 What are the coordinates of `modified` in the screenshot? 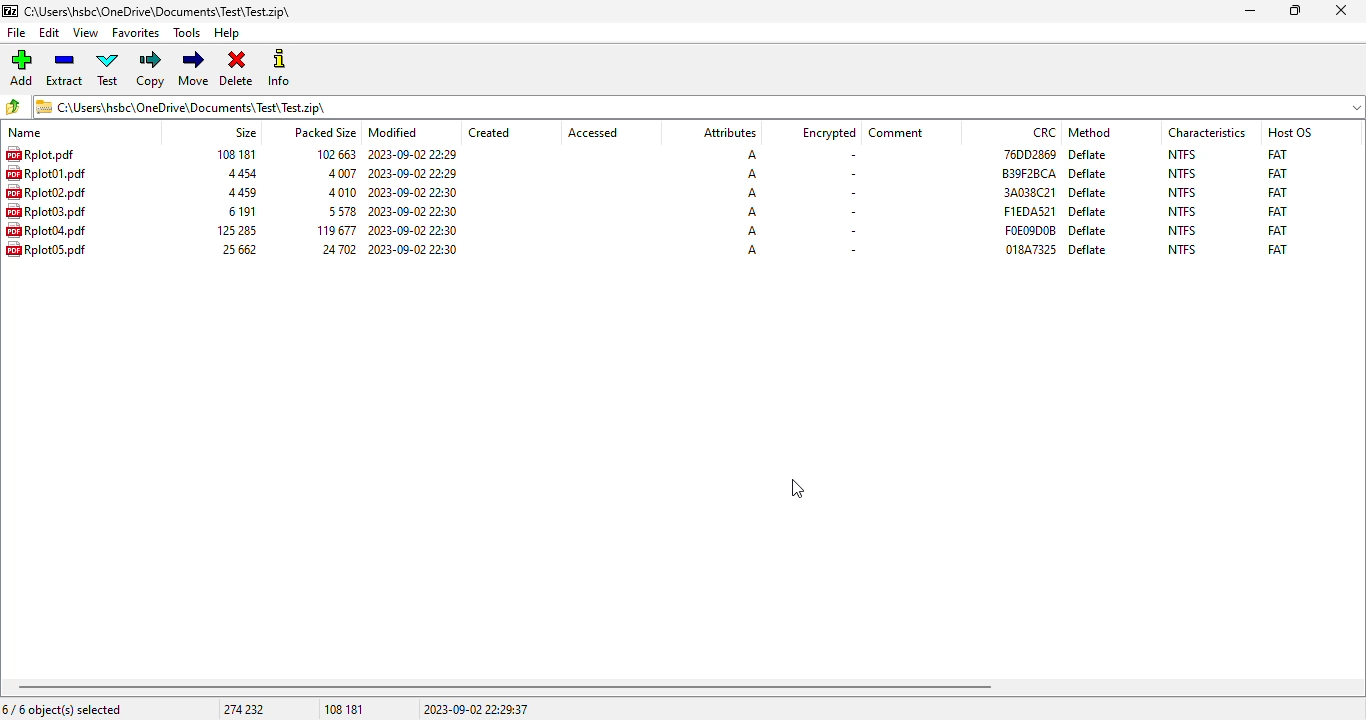 It's located at (394, 132).